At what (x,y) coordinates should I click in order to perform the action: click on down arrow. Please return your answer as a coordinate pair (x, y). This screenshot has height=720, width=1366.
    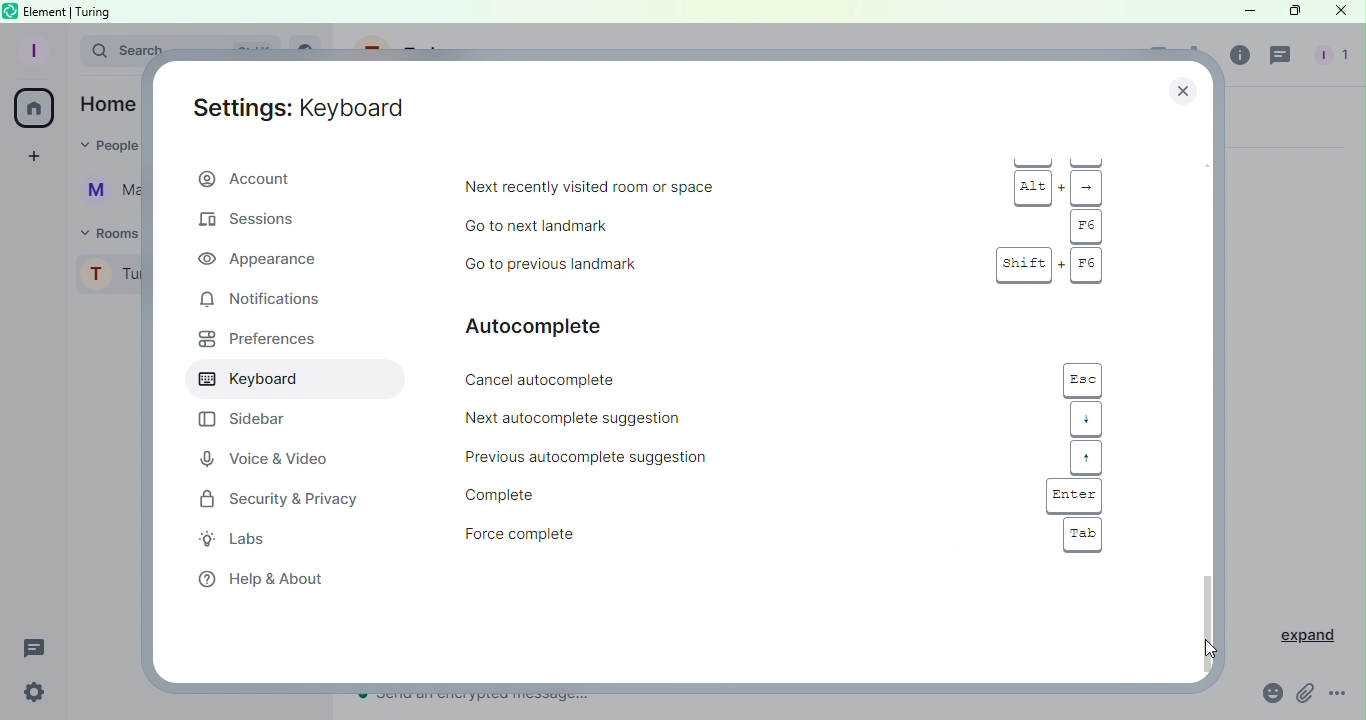
    Looking at the image, I should click on (1086, 419).